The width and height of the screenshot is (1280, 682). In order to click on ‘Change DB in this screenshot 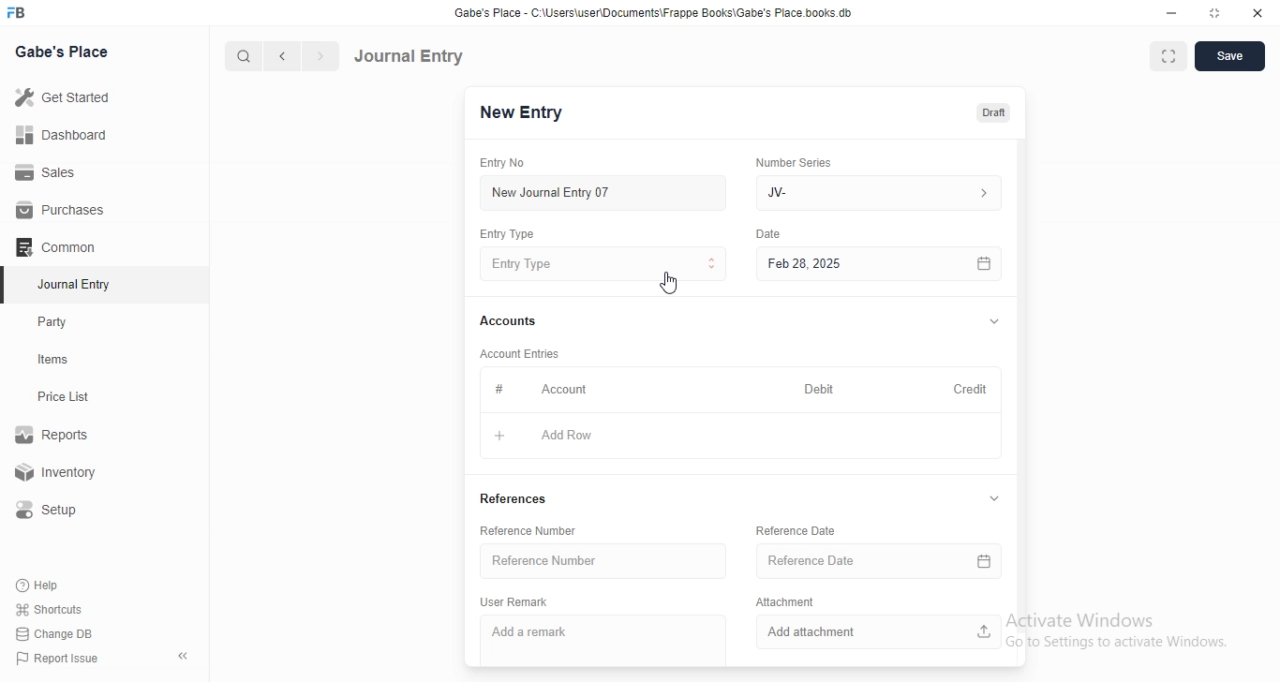, I will do `click(55, 634)`.